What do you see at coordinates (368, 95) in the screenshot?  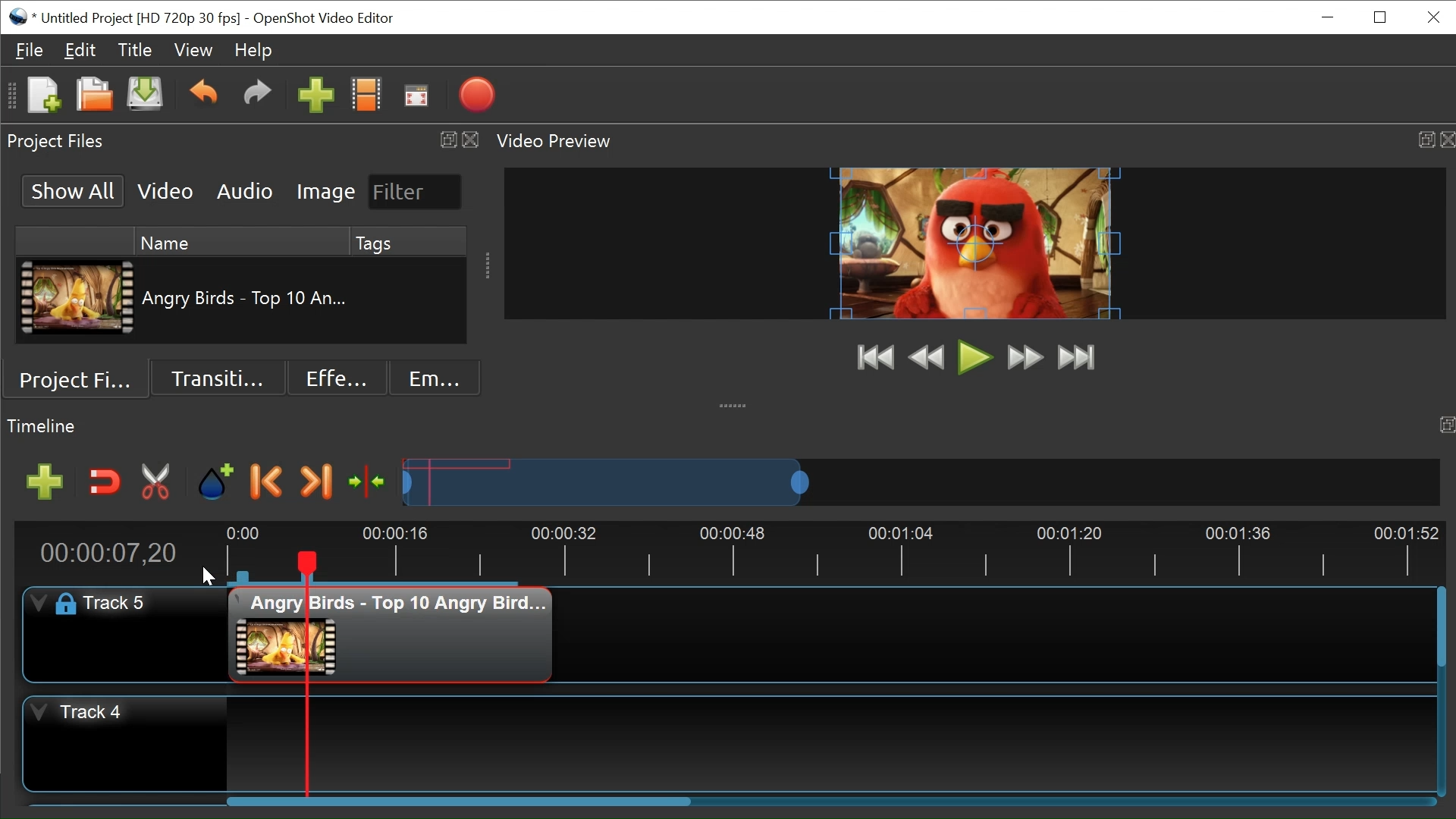 I see `Chooses Profile` at bounding box center [368, 95].